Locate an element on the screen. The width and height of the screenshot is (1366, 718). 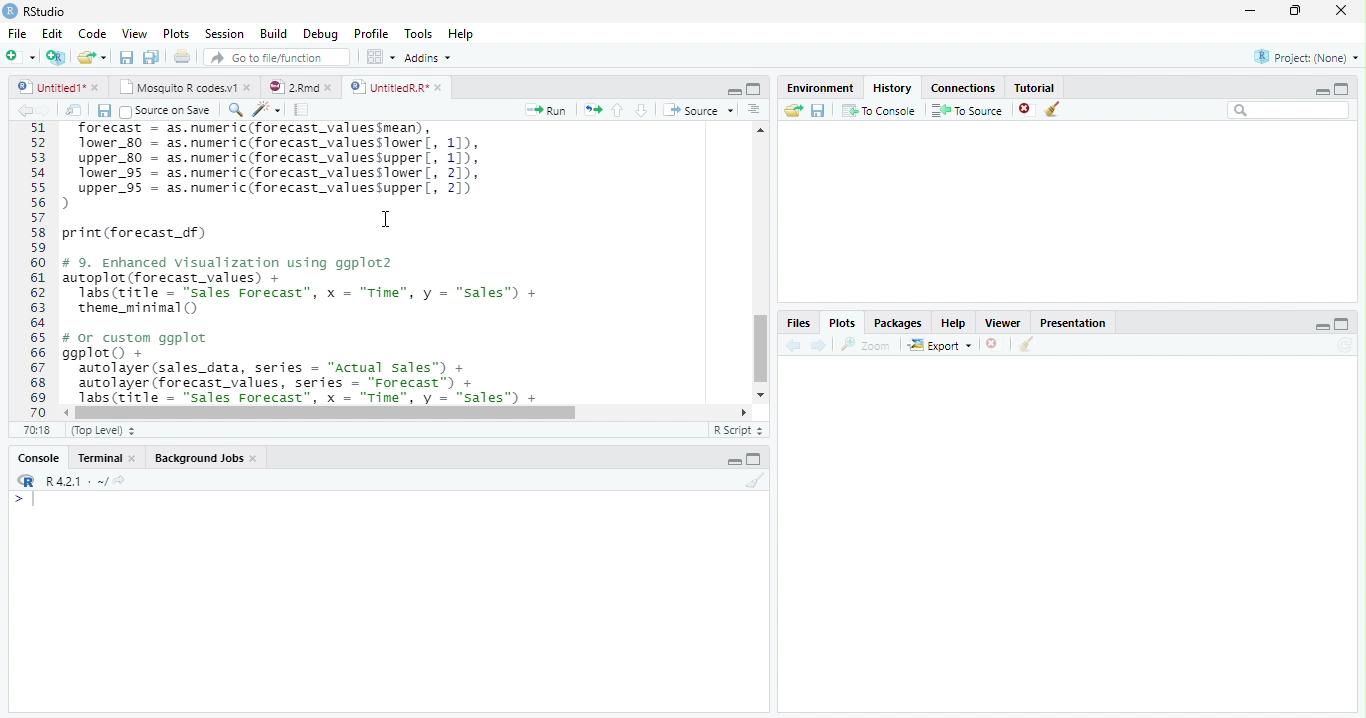
Next is located at coordinates (45, 110).